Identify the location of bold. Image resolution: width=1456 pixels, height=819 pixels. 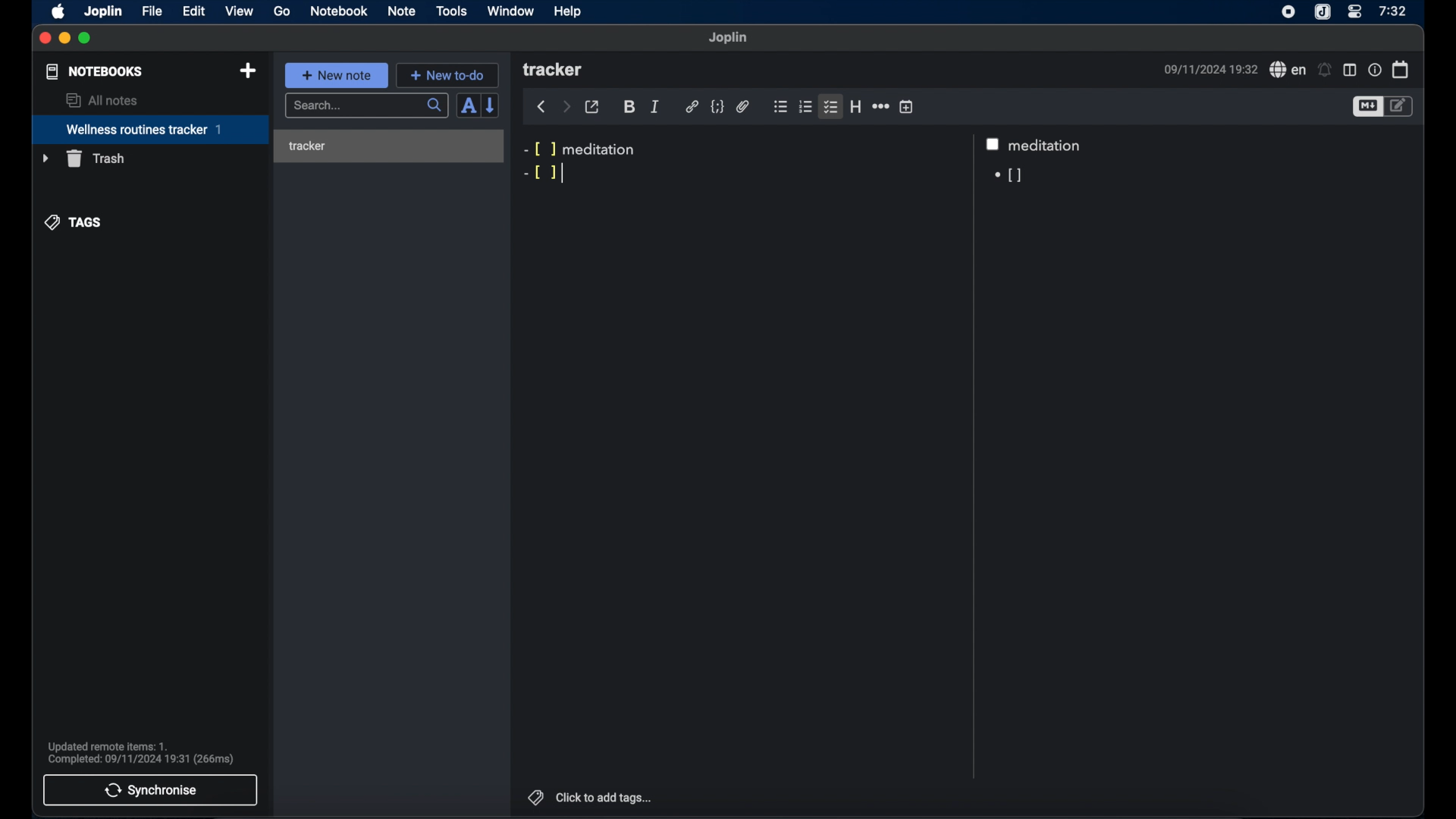
(629, 108).